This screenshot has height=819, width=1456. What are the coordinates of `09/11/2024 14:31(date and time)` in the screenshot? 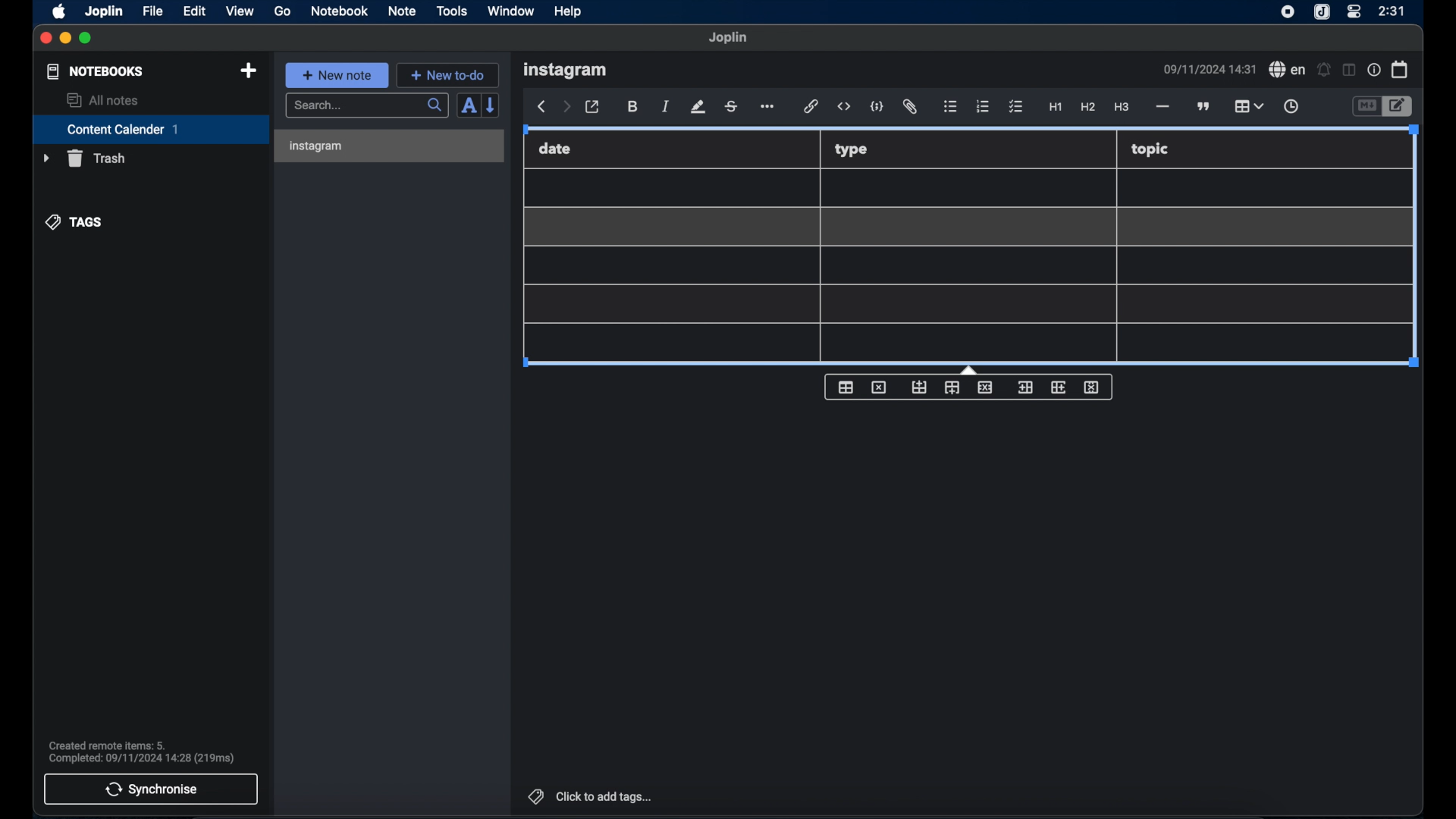 It's located at (1210, 69).